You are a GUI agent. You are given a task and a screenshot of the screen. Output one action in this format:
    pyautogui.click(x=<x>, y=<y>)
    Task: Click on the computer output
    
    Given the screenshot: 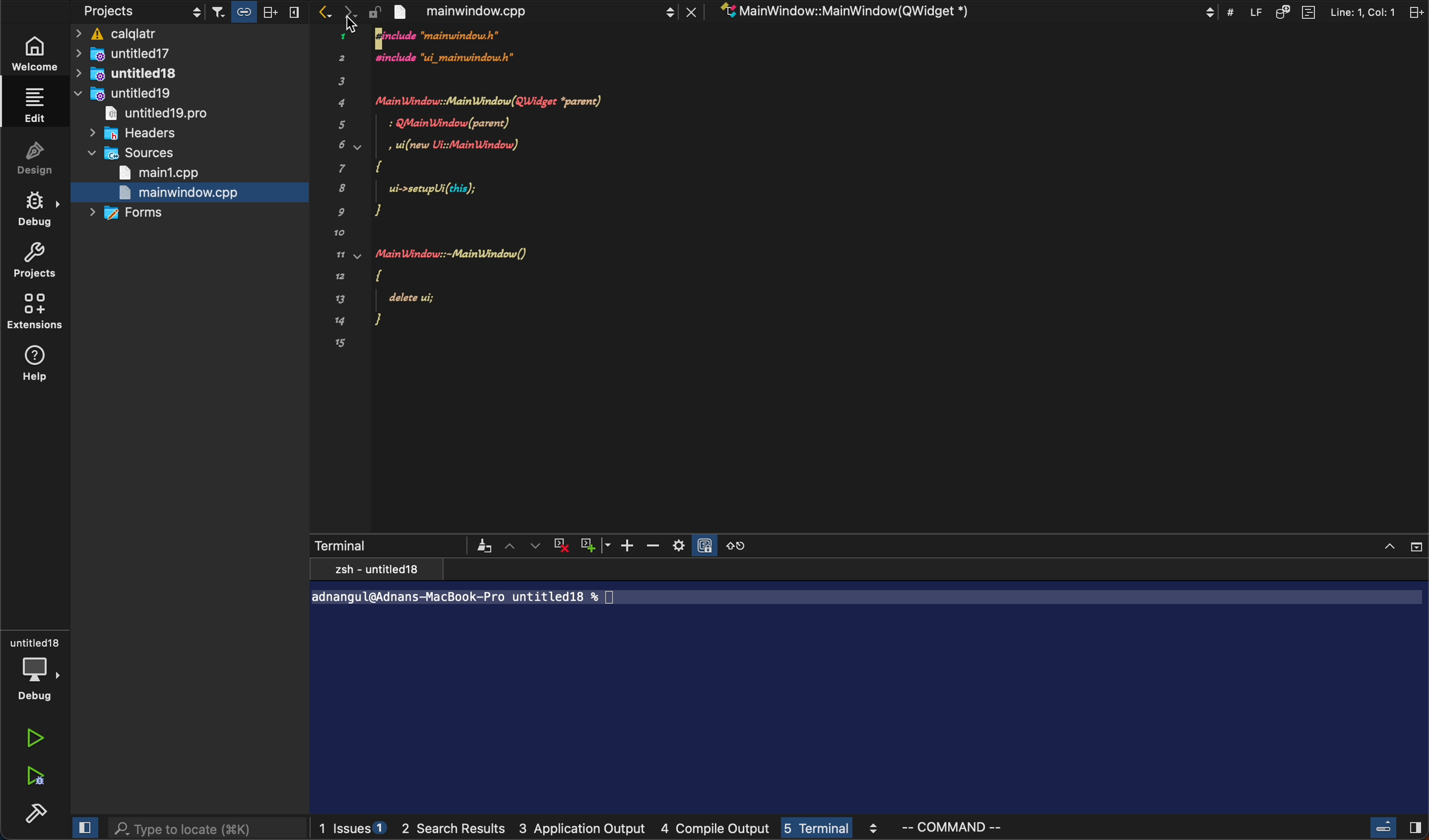 What is the action you would take?
    pyautogui.click(x=715, y=830)
    